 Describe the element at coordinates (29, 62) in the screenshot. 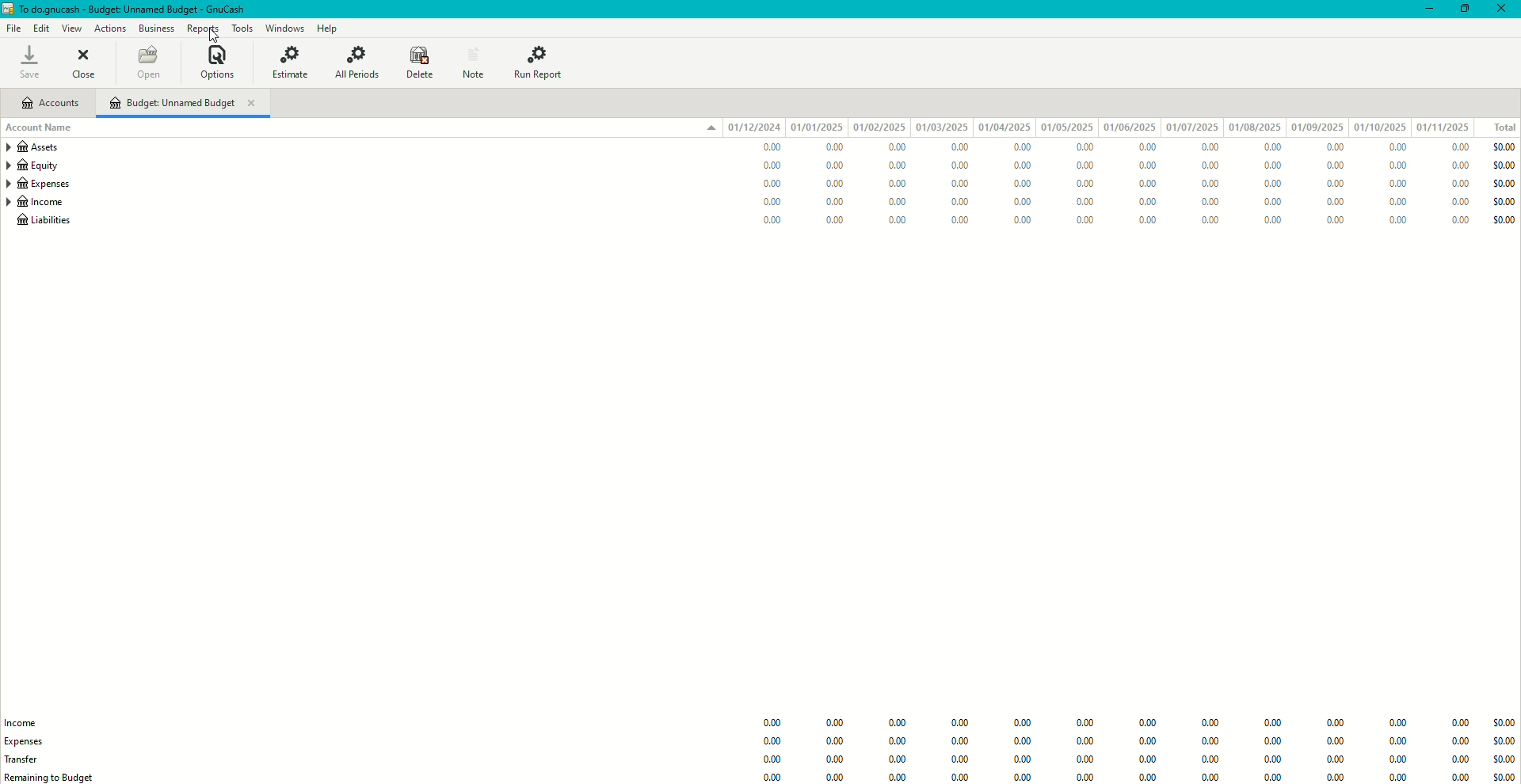

I see `Save` at that location.